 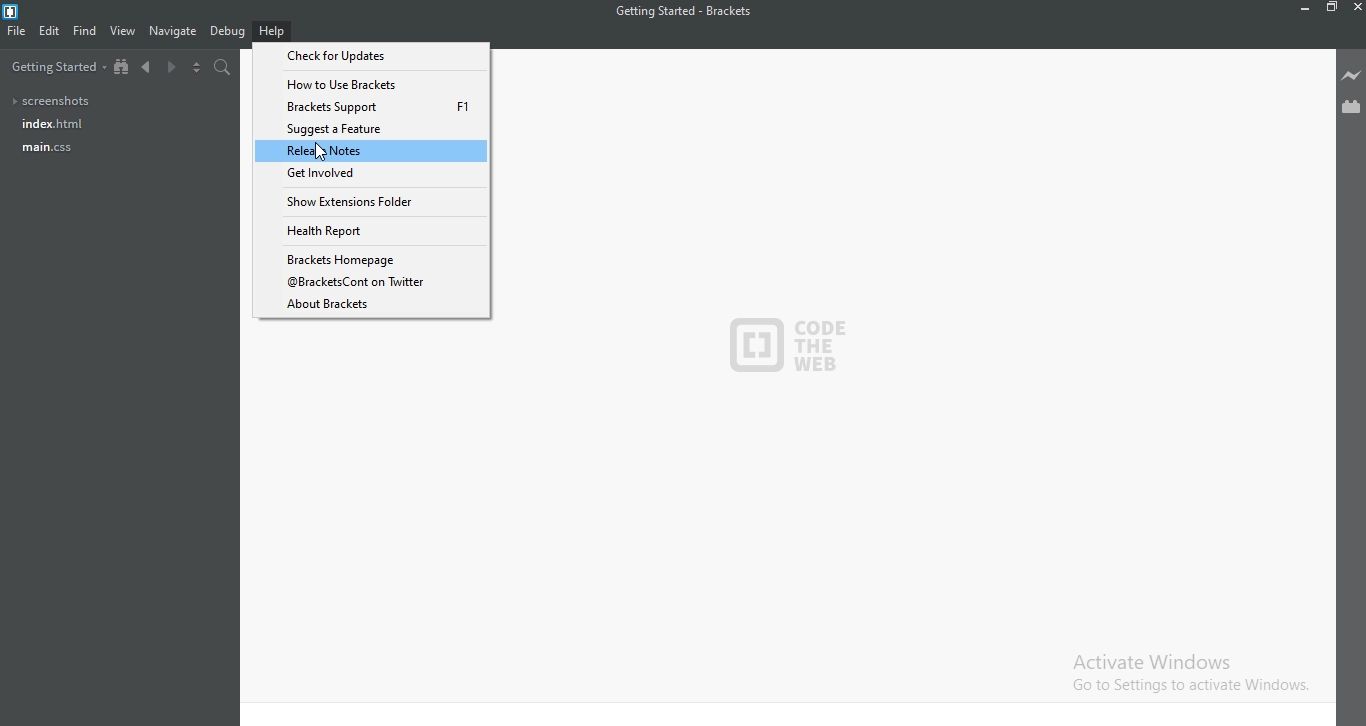 I want to click on Check for Updates, so click(x=374, y=57).